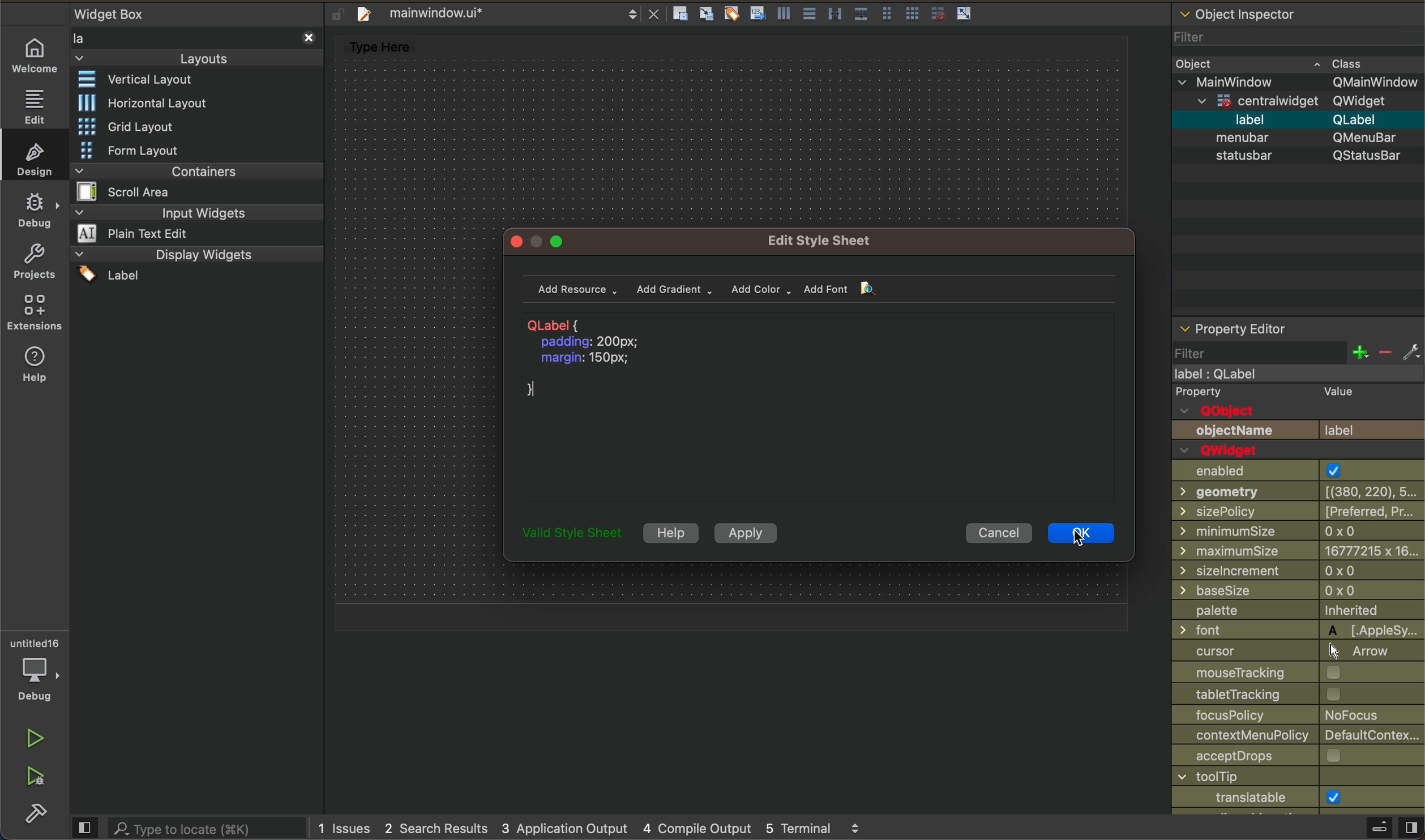  Describe the element at coordinates (37, 781) in the screenshot. I see `run abd debug` at that location.